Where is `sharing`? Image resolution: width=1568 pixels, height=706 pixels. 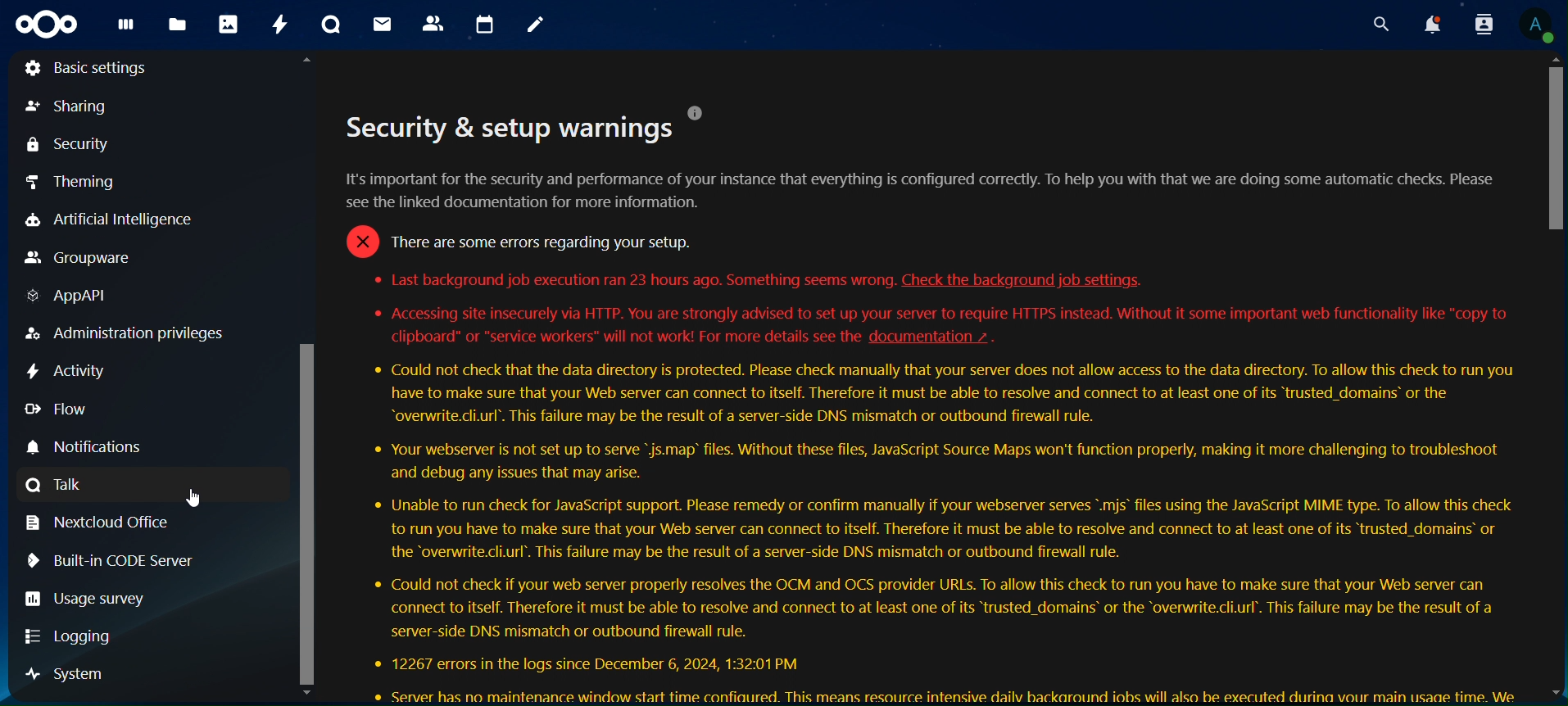
sharing is located at coordinates (69, 108).